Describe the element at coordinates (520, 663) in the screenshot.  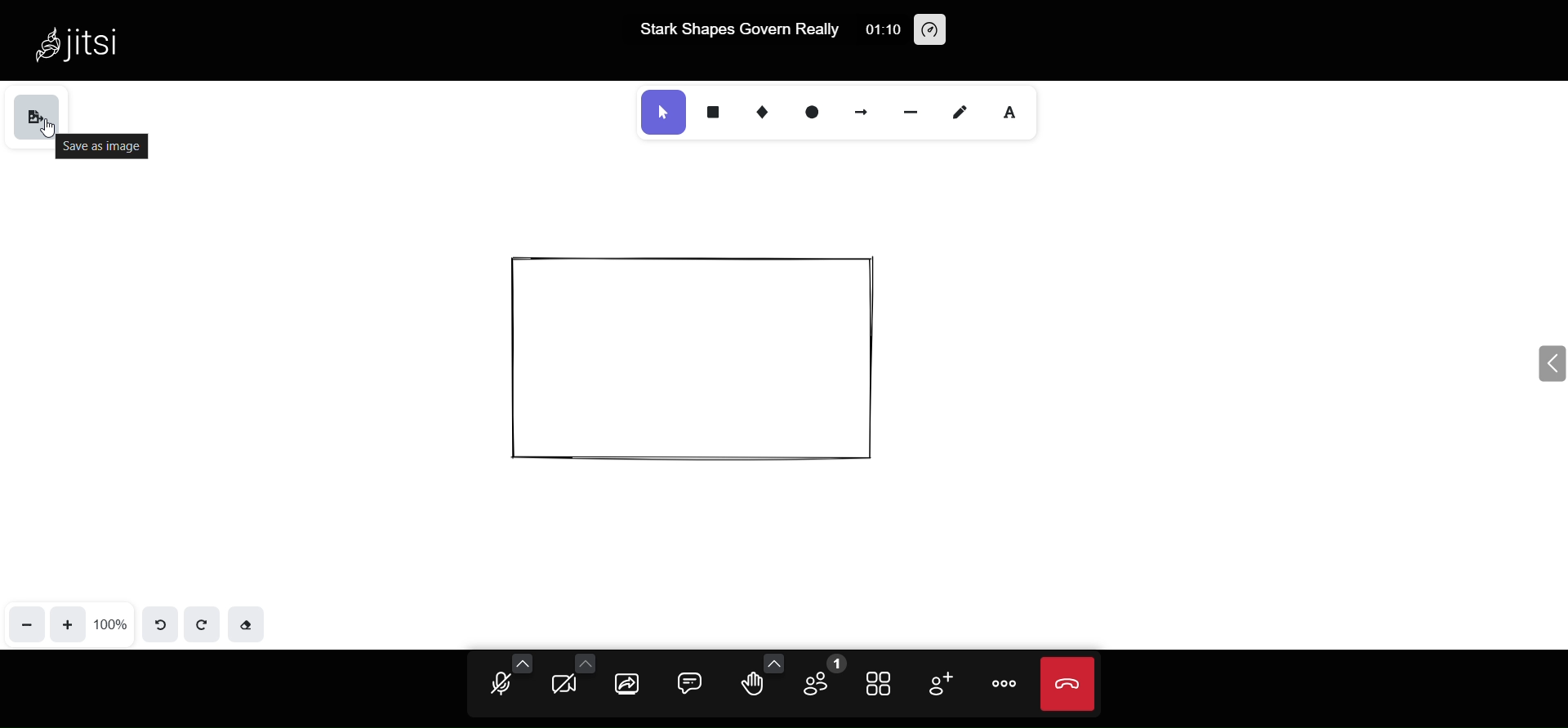
I see `more audio option` at that location.